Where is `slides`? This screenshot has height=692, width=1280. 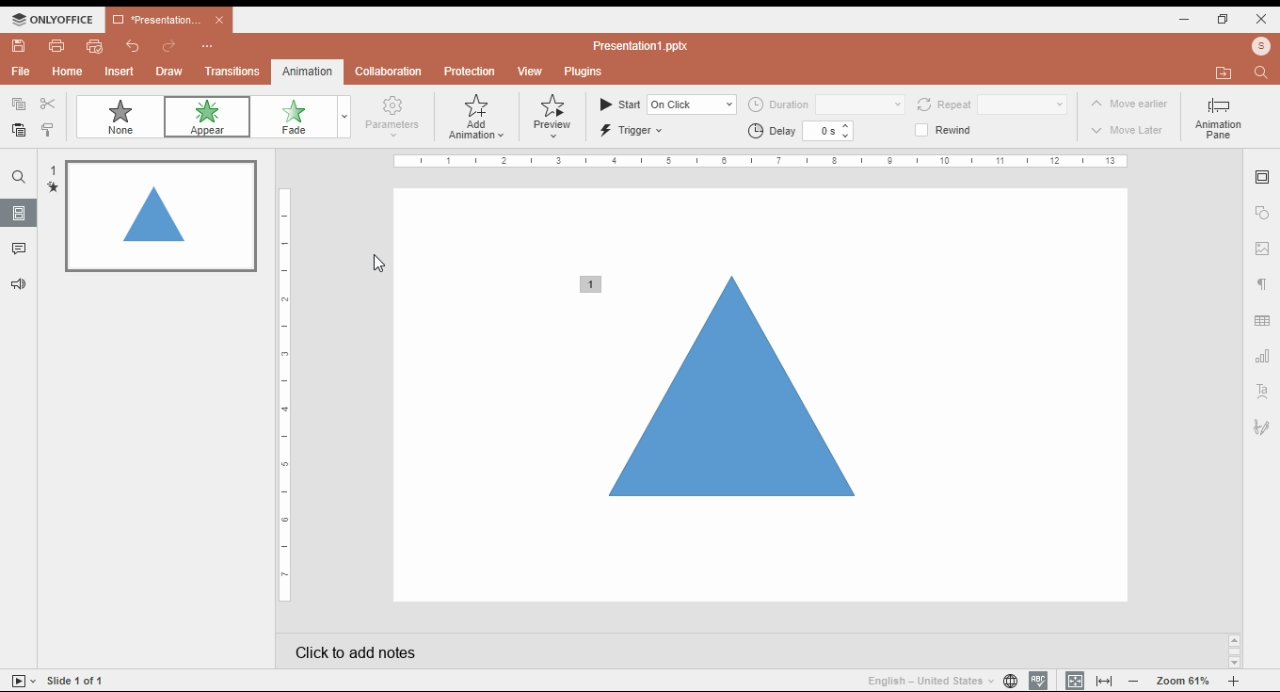 slides is located at coordinates (20, 213).